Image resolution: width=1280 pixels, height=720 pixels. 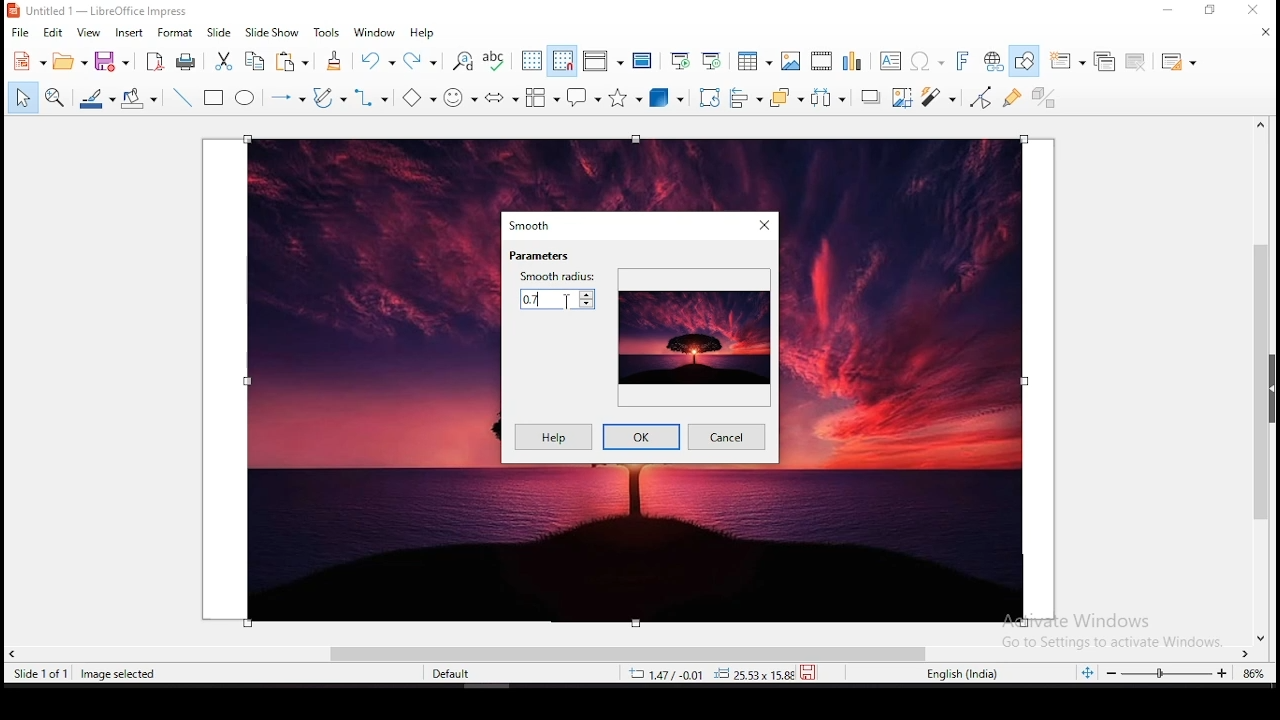 I want to click on display views, so click(x=604, y=62).